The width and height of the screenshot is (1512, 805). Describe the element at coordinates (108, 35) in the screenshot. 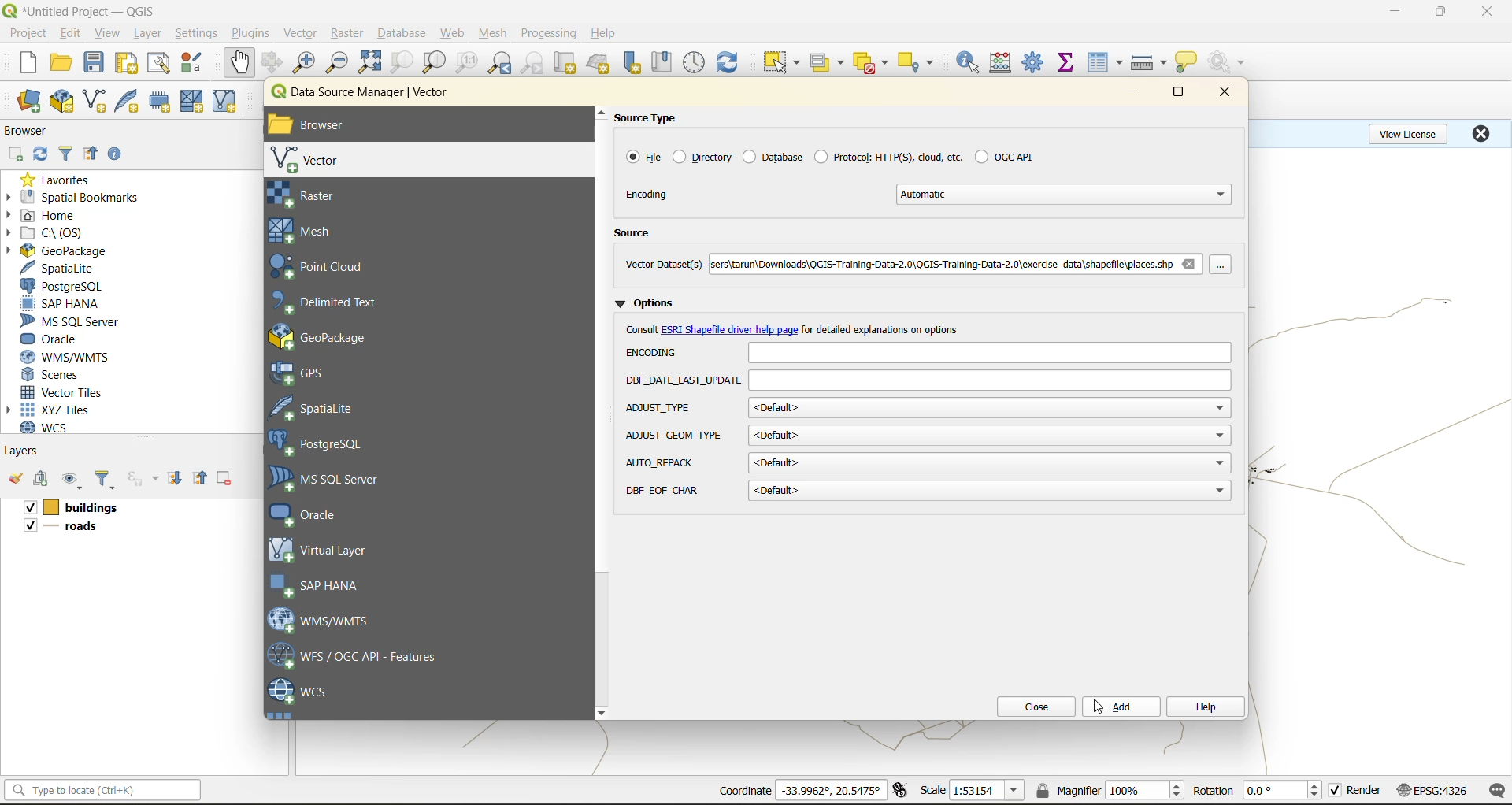

I see `view` at that location.